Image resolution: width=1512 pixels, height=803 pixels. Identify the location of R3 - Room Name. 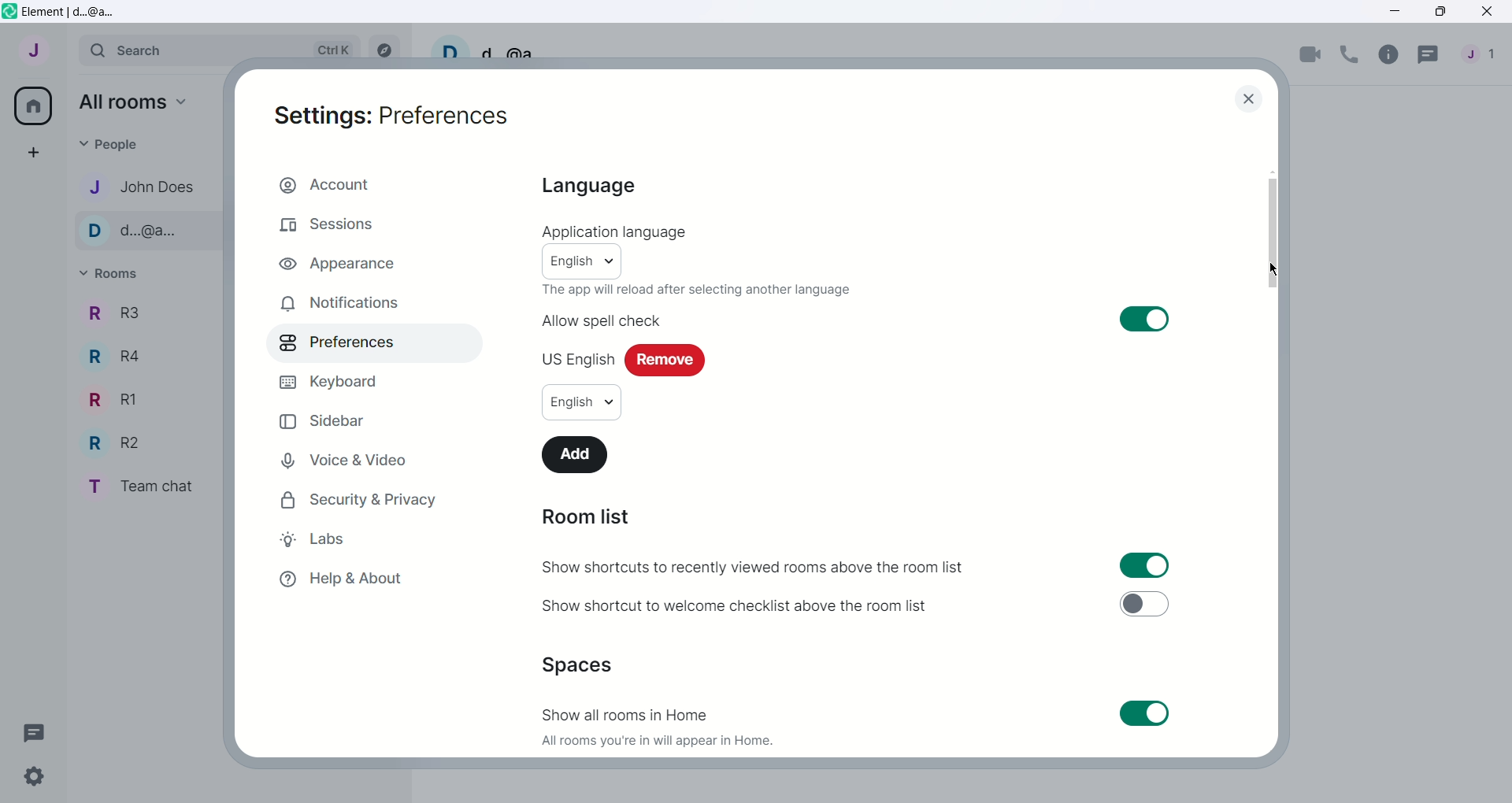
(112, 314).